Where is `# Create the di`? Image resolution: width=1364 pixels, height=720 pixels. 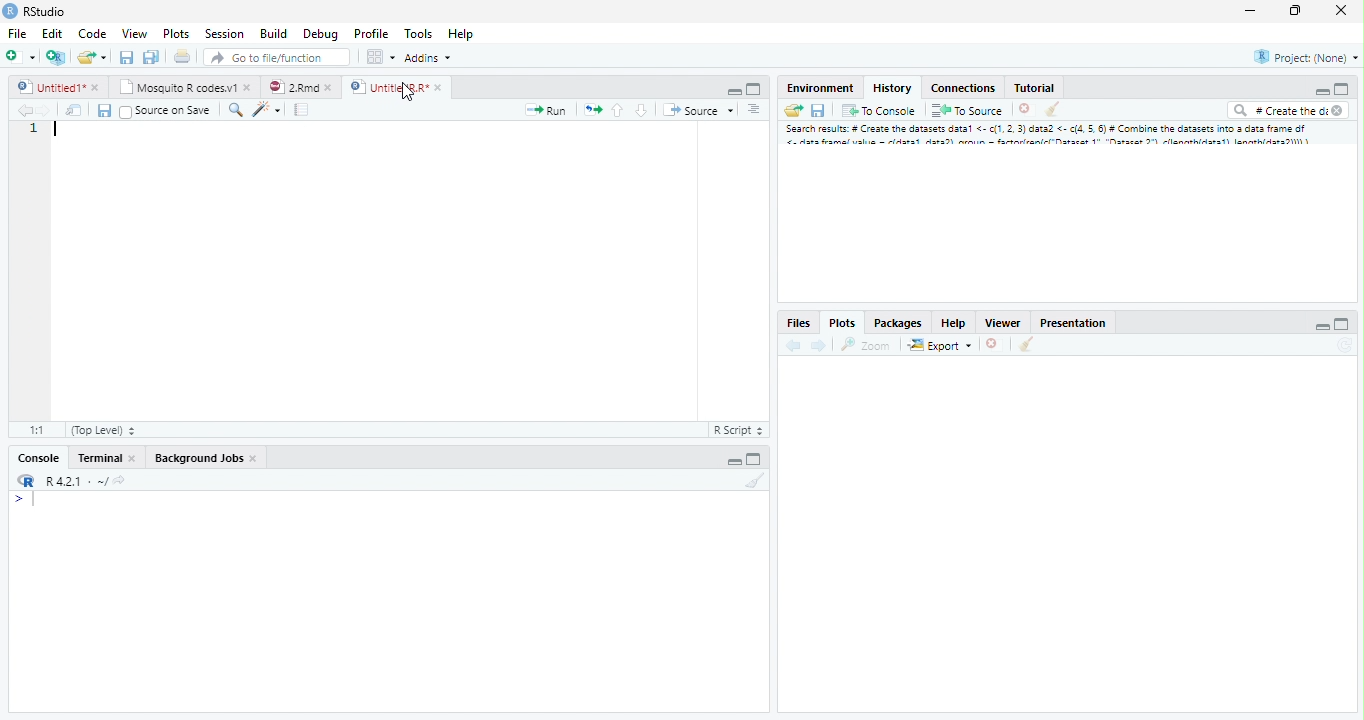
# Create the di is located at coordinates (1286, 112).